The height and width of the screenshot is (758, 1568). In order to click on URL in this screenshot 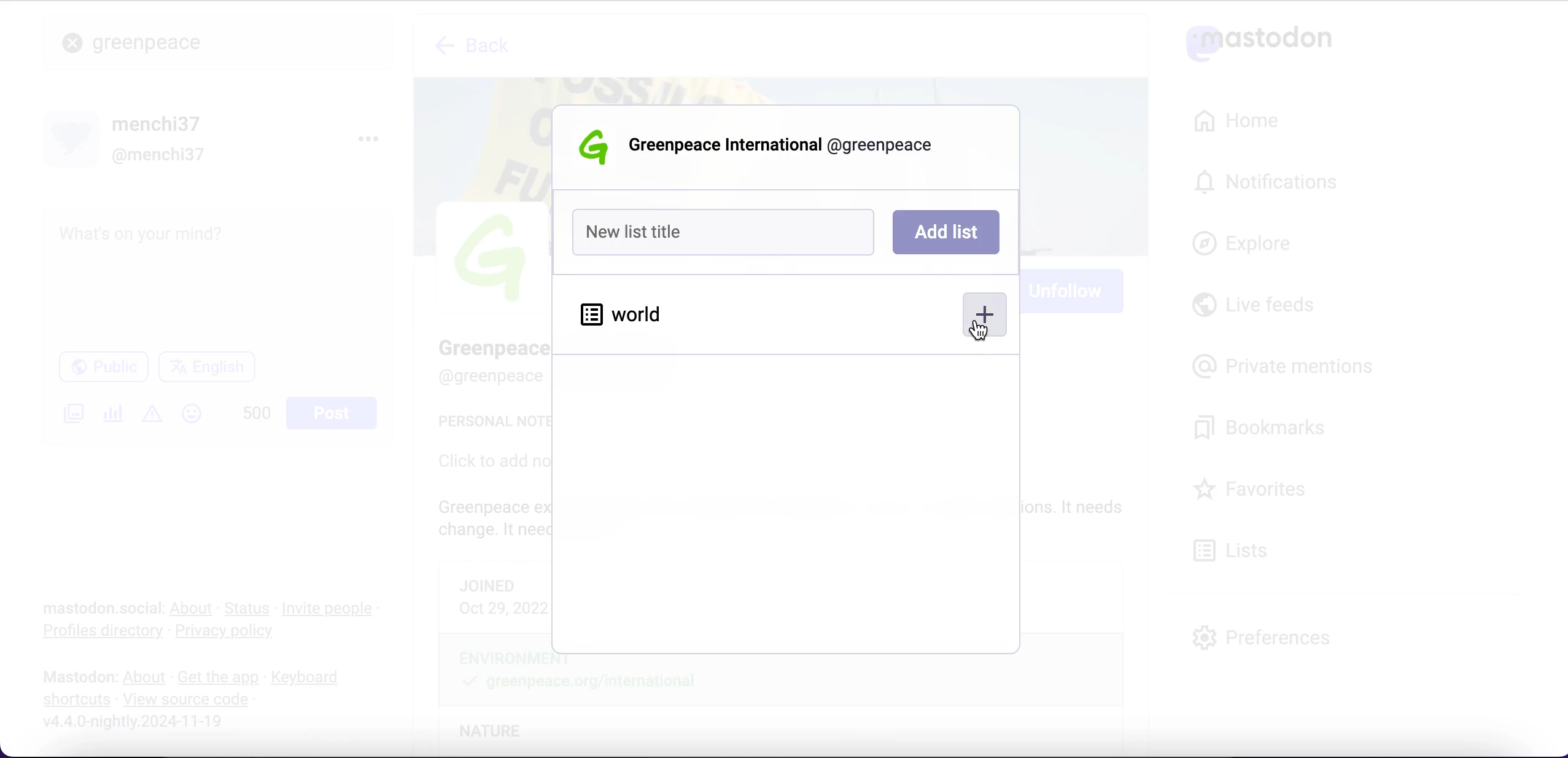, I will do `click(144, 743)`.